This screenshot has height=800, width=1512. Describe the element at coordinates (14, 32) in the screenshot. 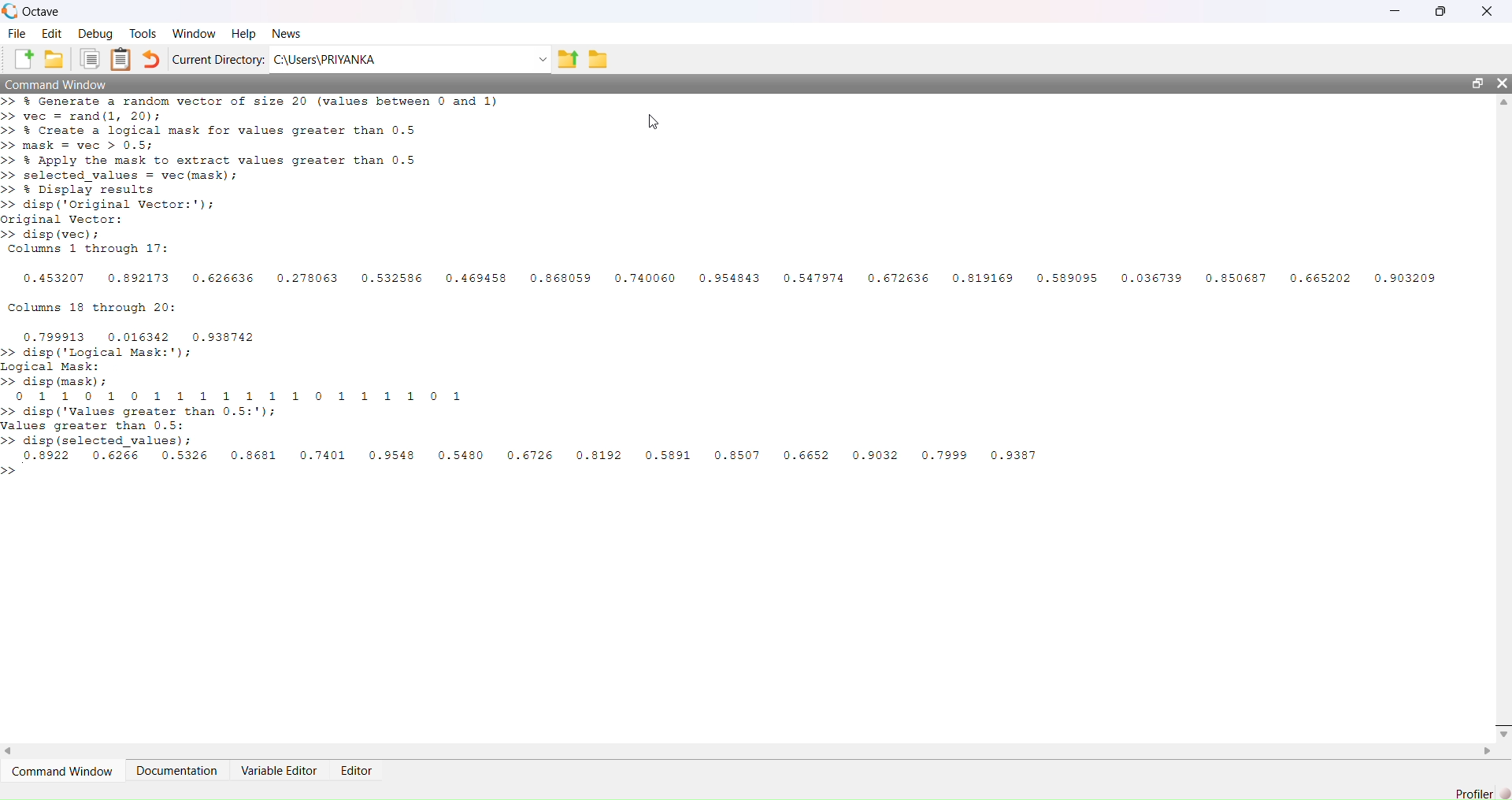

I see `File` at that location.